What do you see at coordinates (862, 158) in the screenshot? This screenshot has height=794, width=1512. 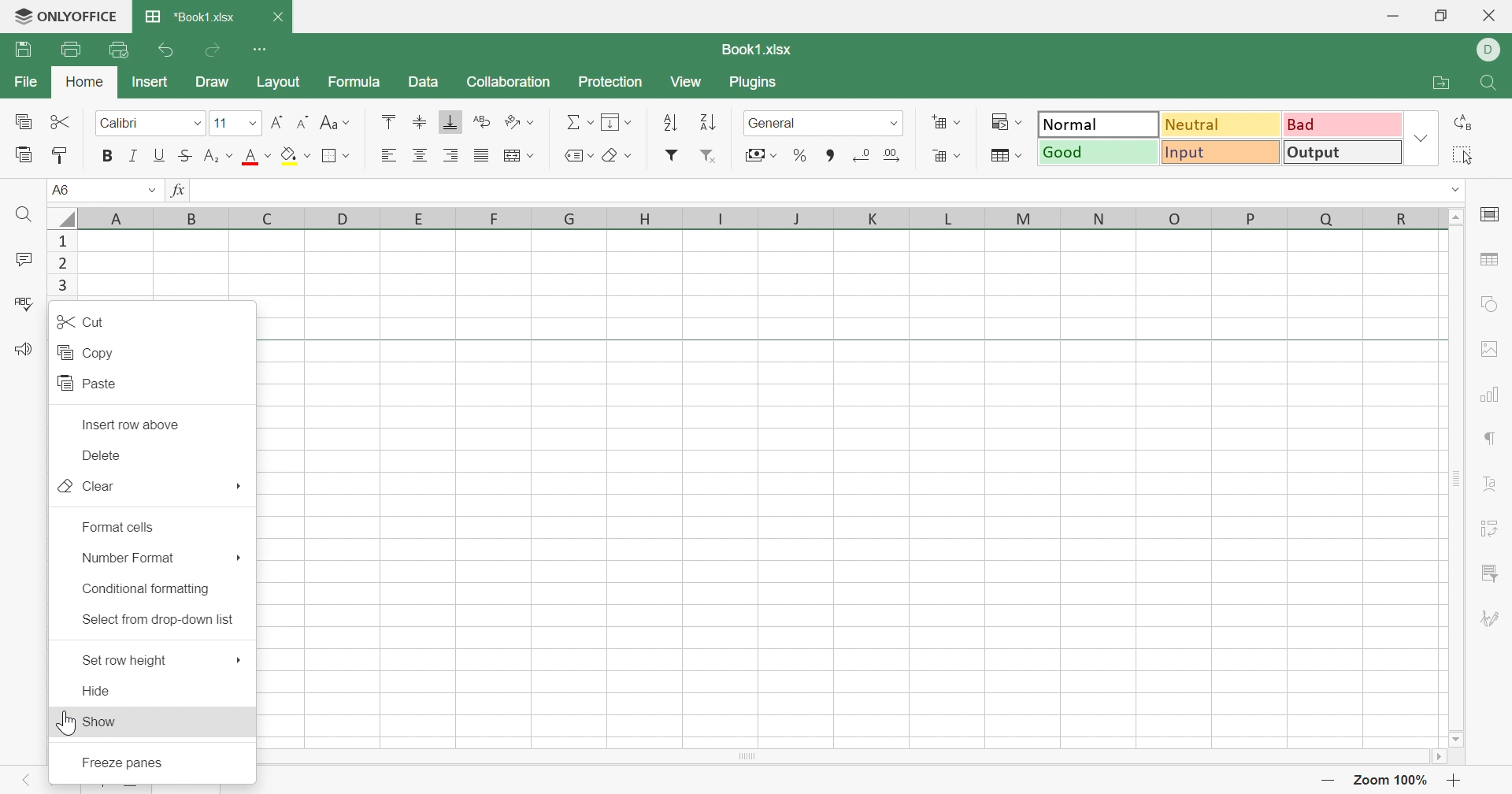 I see `Decrease decimal` at bounding box center [862, 158].